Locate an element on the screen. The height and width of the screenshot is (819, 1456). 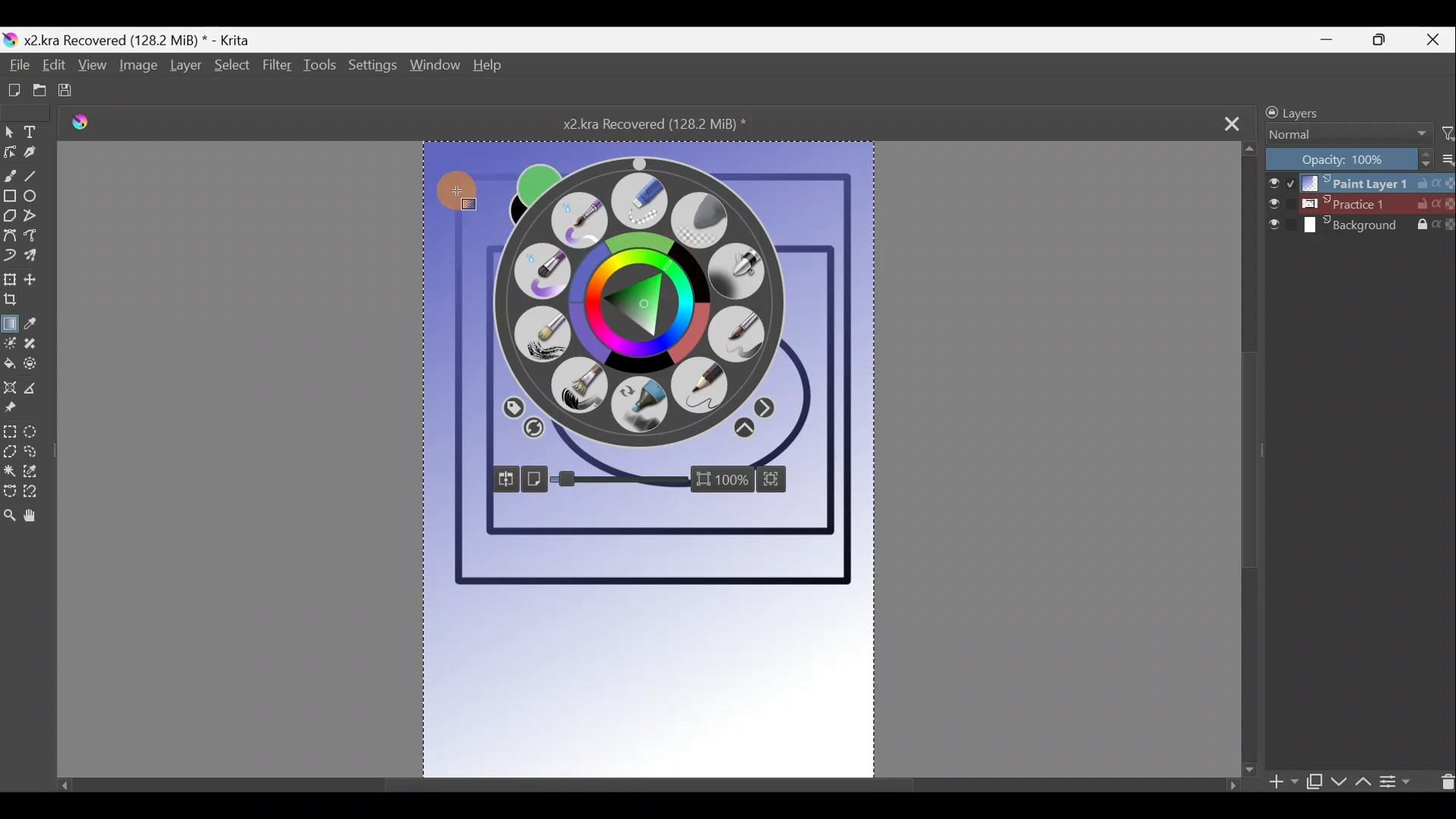
Eraser soft is located at coordinates (707, 218).